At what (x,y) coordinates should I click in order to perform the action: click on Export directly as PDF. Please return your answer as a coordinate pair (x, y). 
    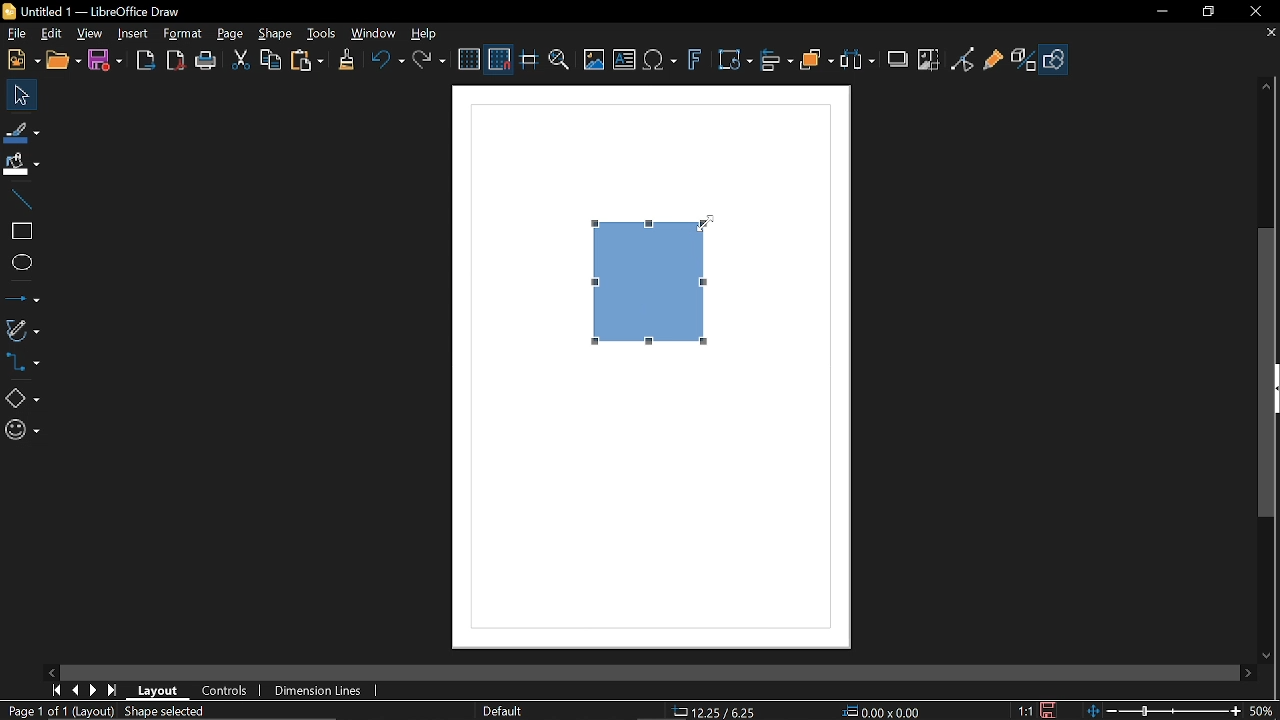
    Looking at the image, I should click on (176, 60).